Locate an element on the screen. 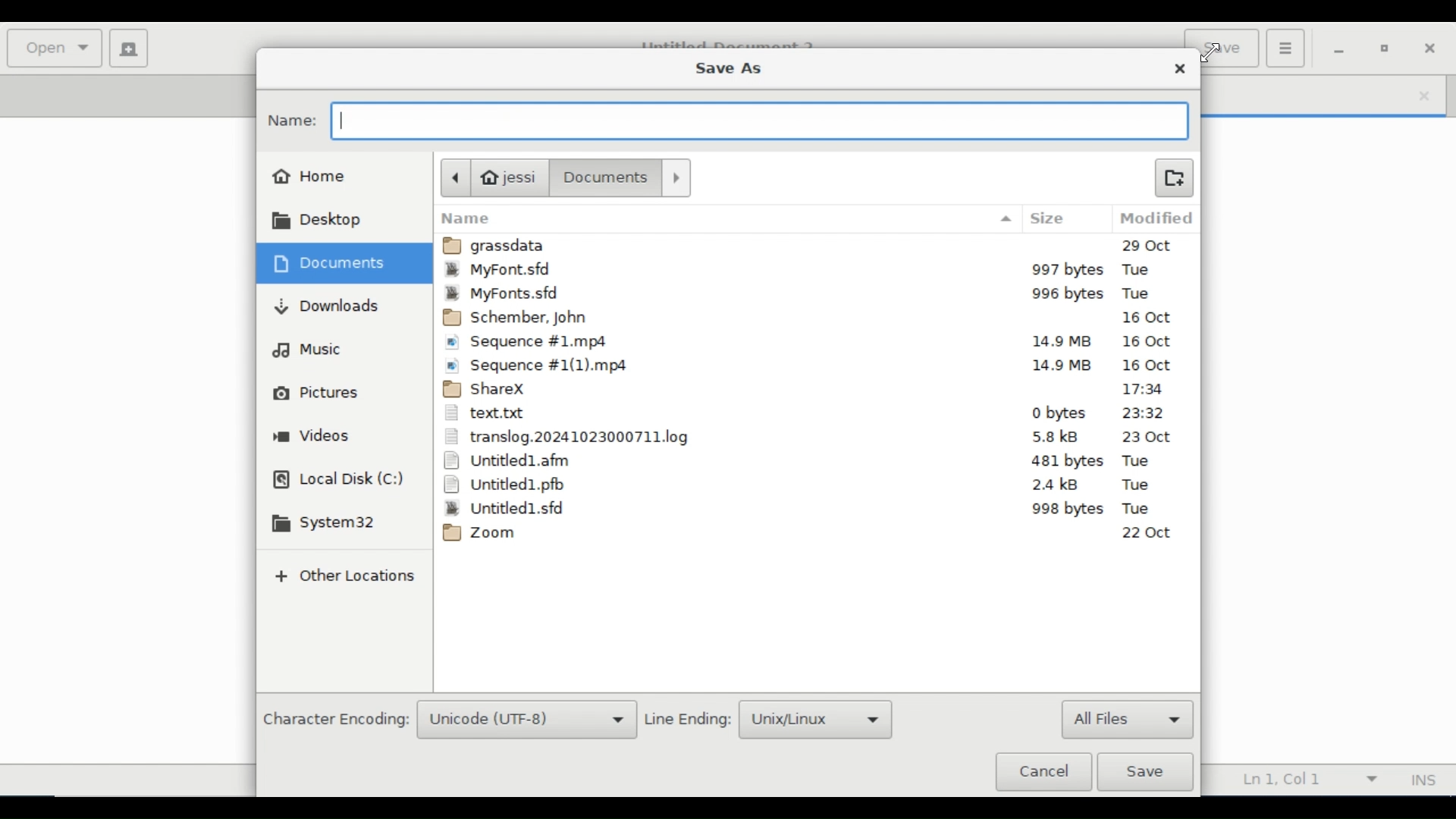  Documents is located at coordinates (331, 262).